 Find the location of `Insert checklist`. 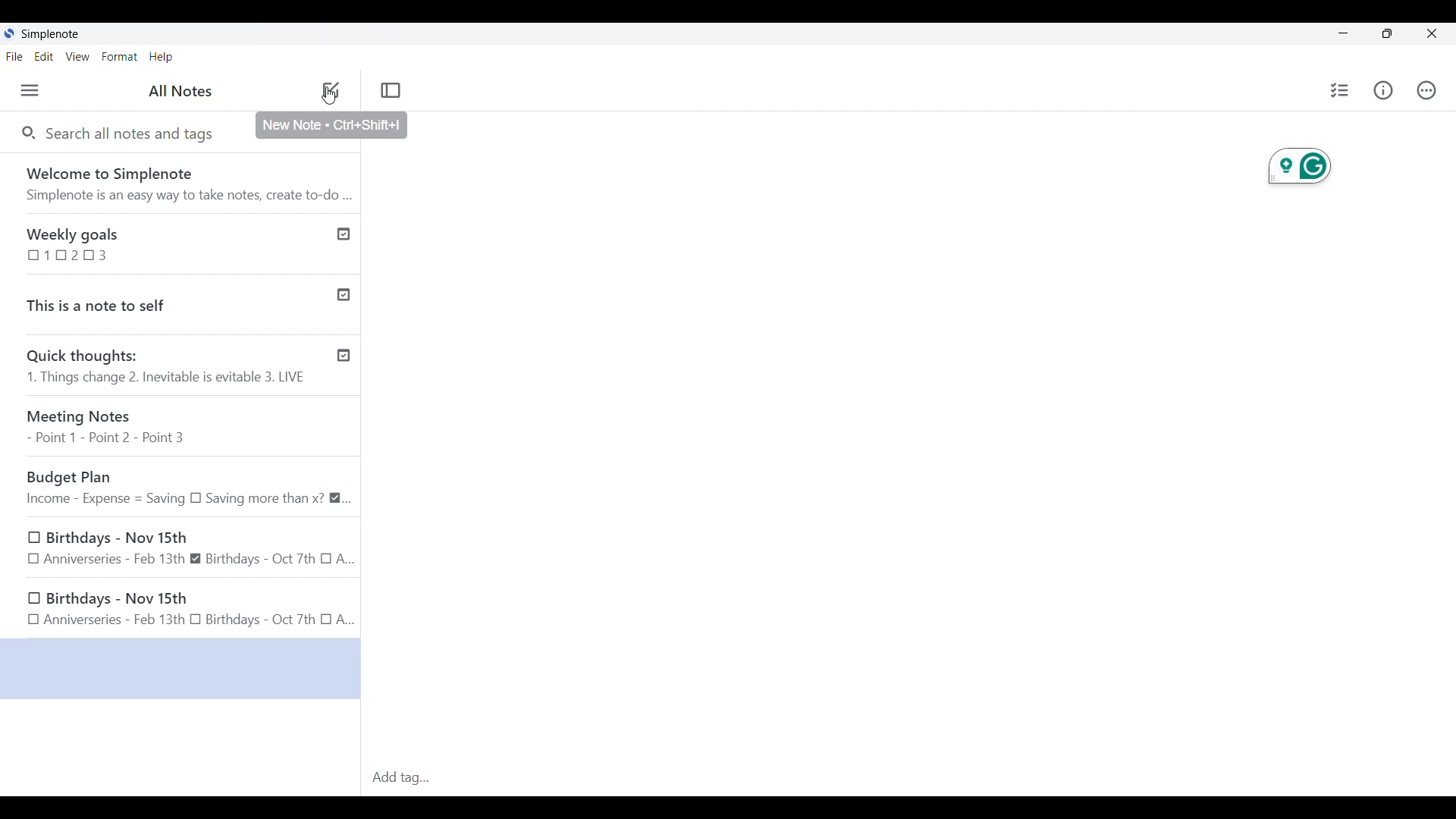

Insert checklist is located at coordinates (1341, 90).